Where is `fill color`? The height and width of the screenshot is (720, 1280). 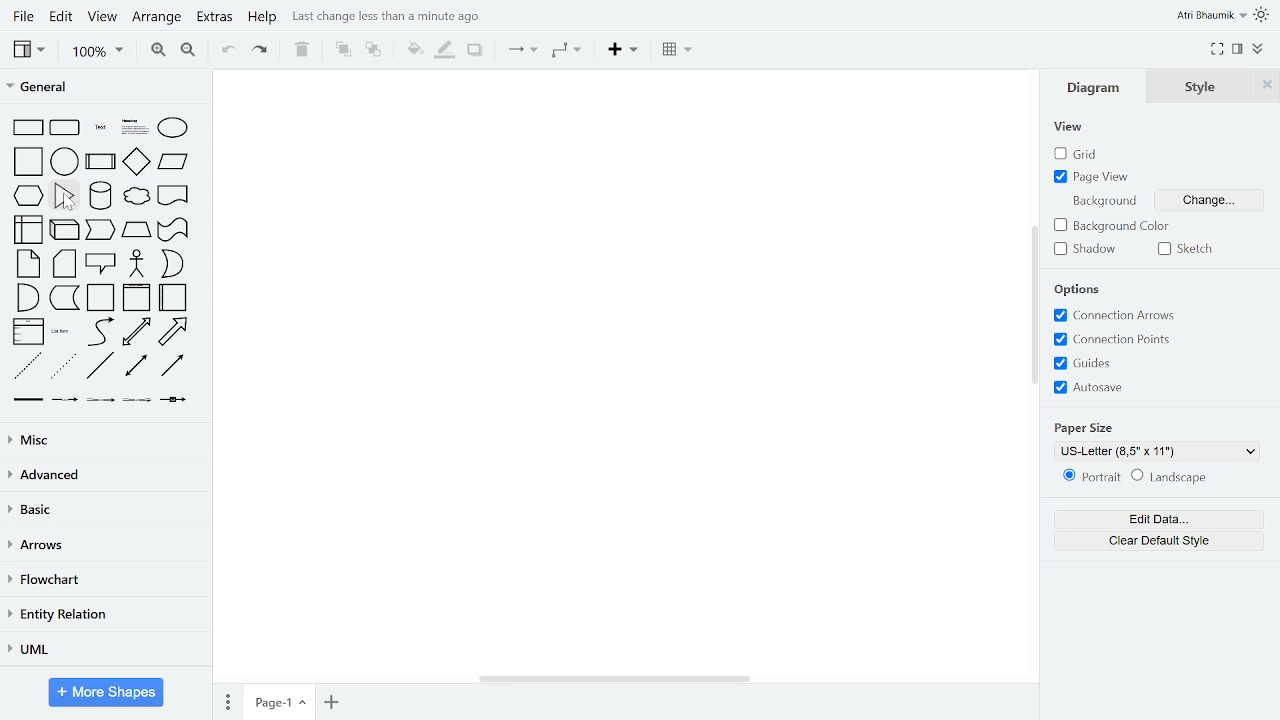 fill color is located at coordinates (412, 48).